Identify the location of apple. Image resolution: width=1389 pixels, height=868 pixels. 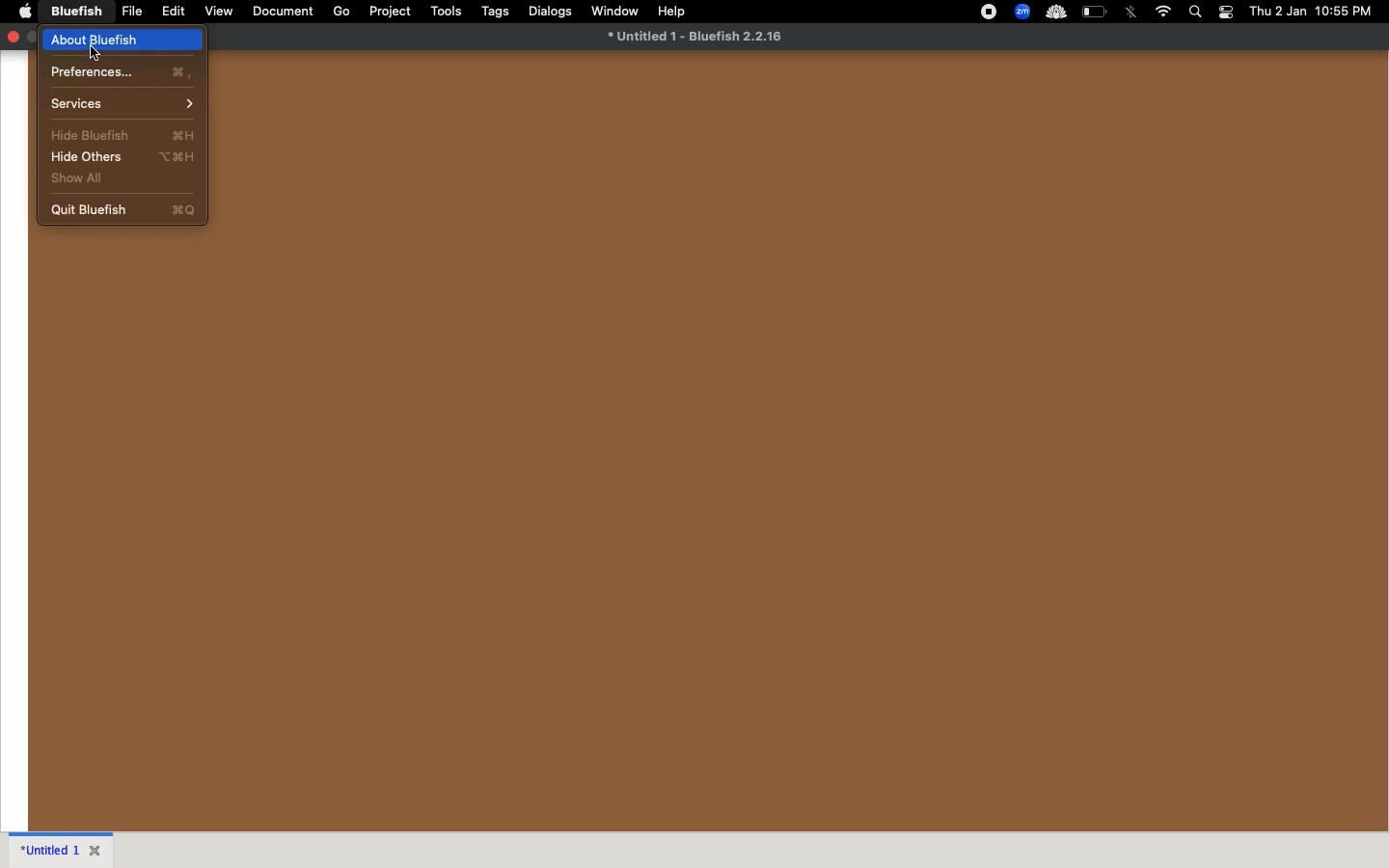
(26, 11).